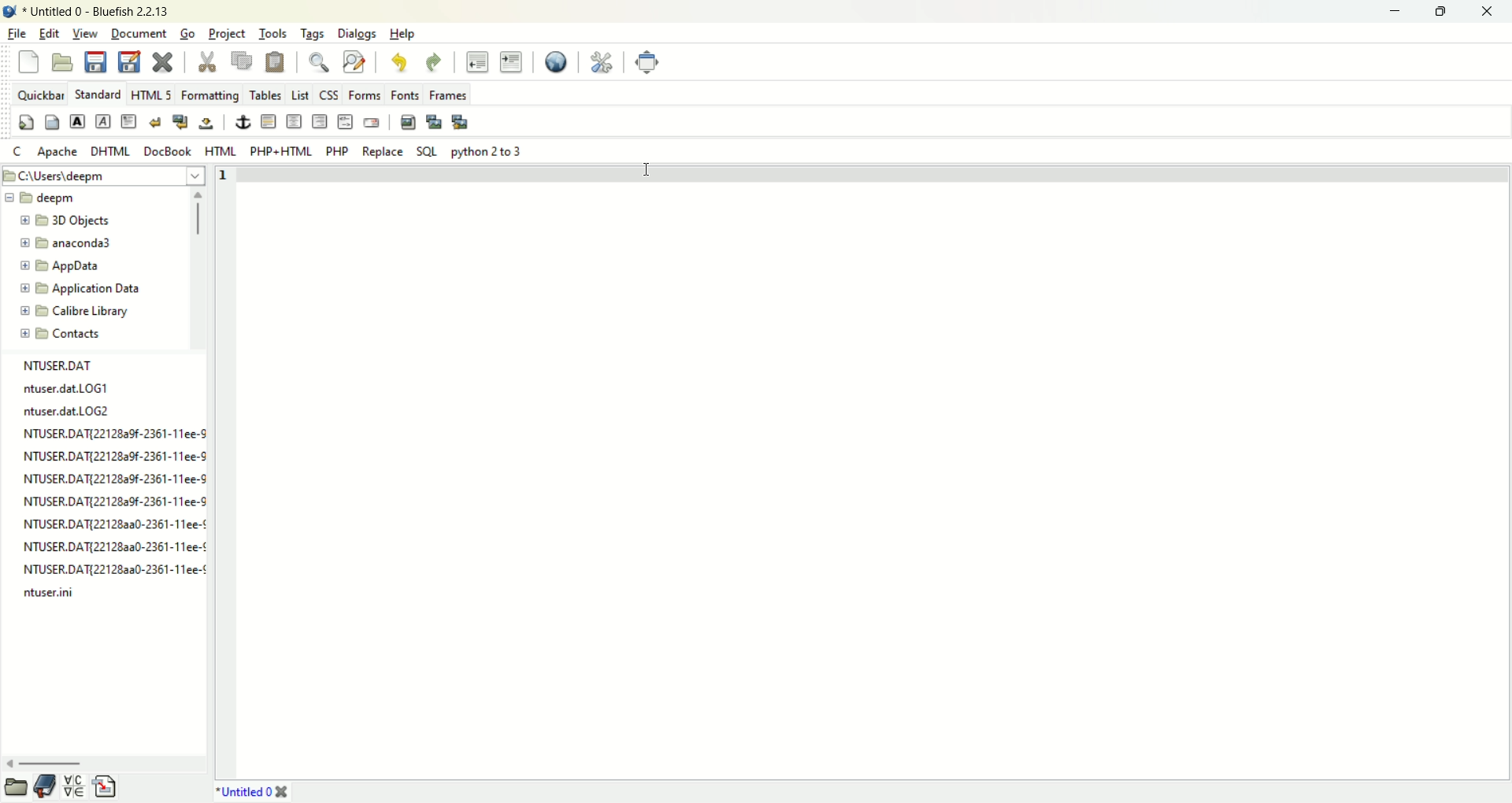 The width and height of the screenshot is (1512, 803). What do you see at coordinates (362, 95) in the screenshot?
I see `Forms` at bounding box center [362, 95].